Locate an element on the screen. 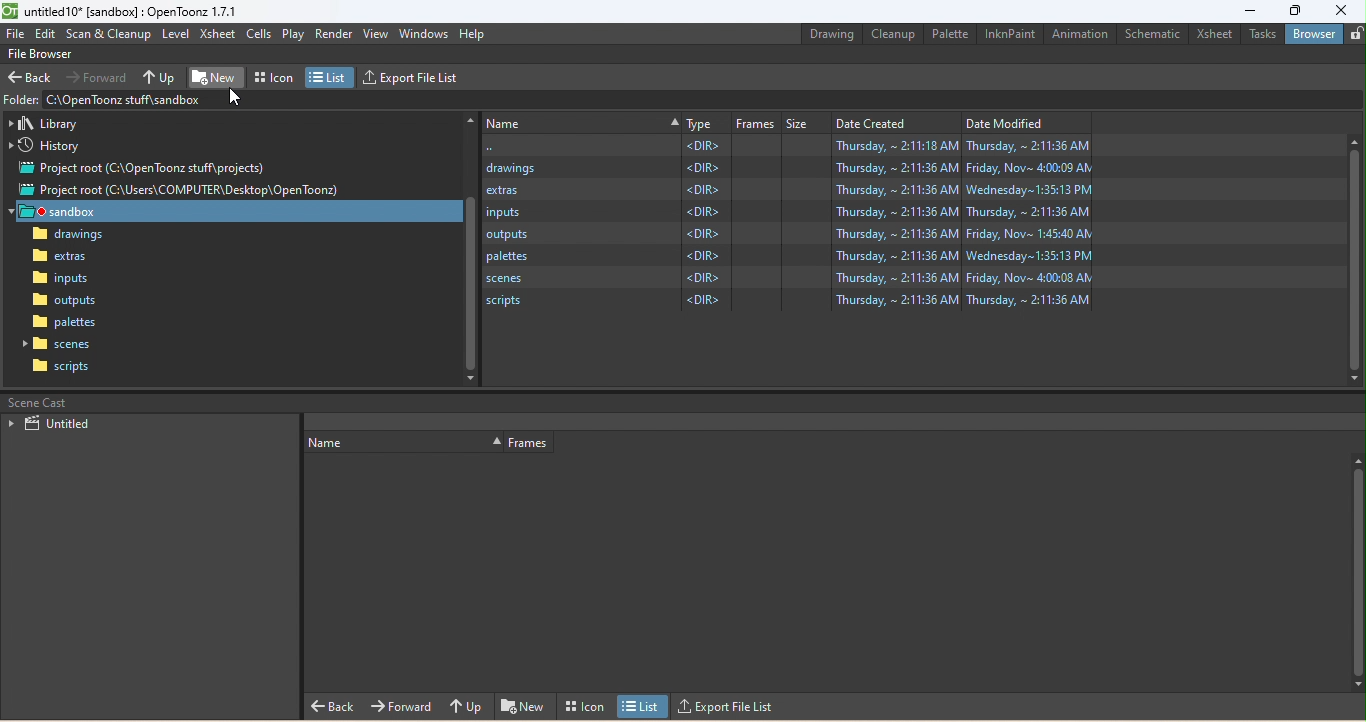 The image size is (1366, 722). Close is located at coordinates (1344, 10).